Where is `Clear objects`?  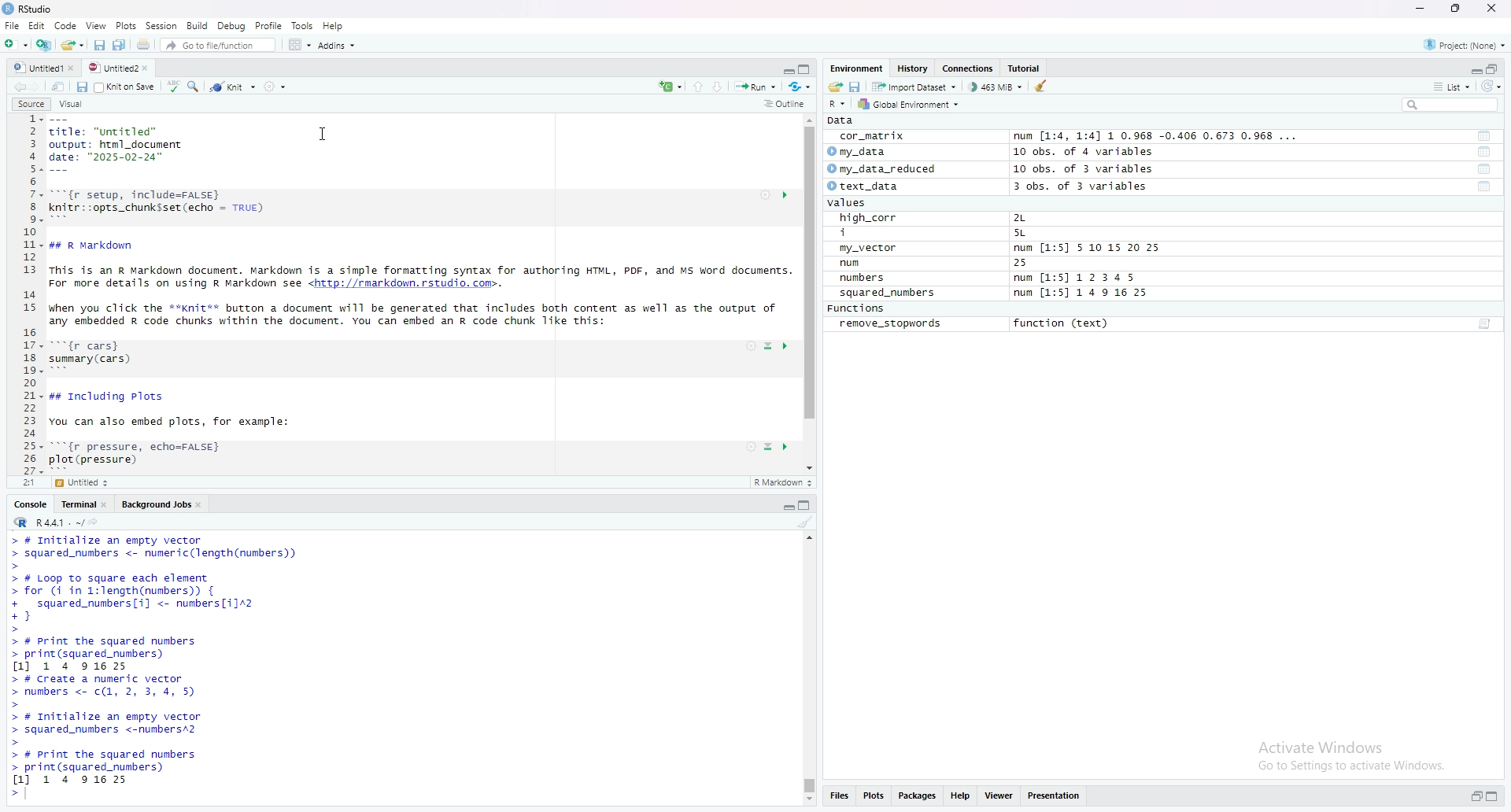
Clear objects is located at coordinates (1044, 87).